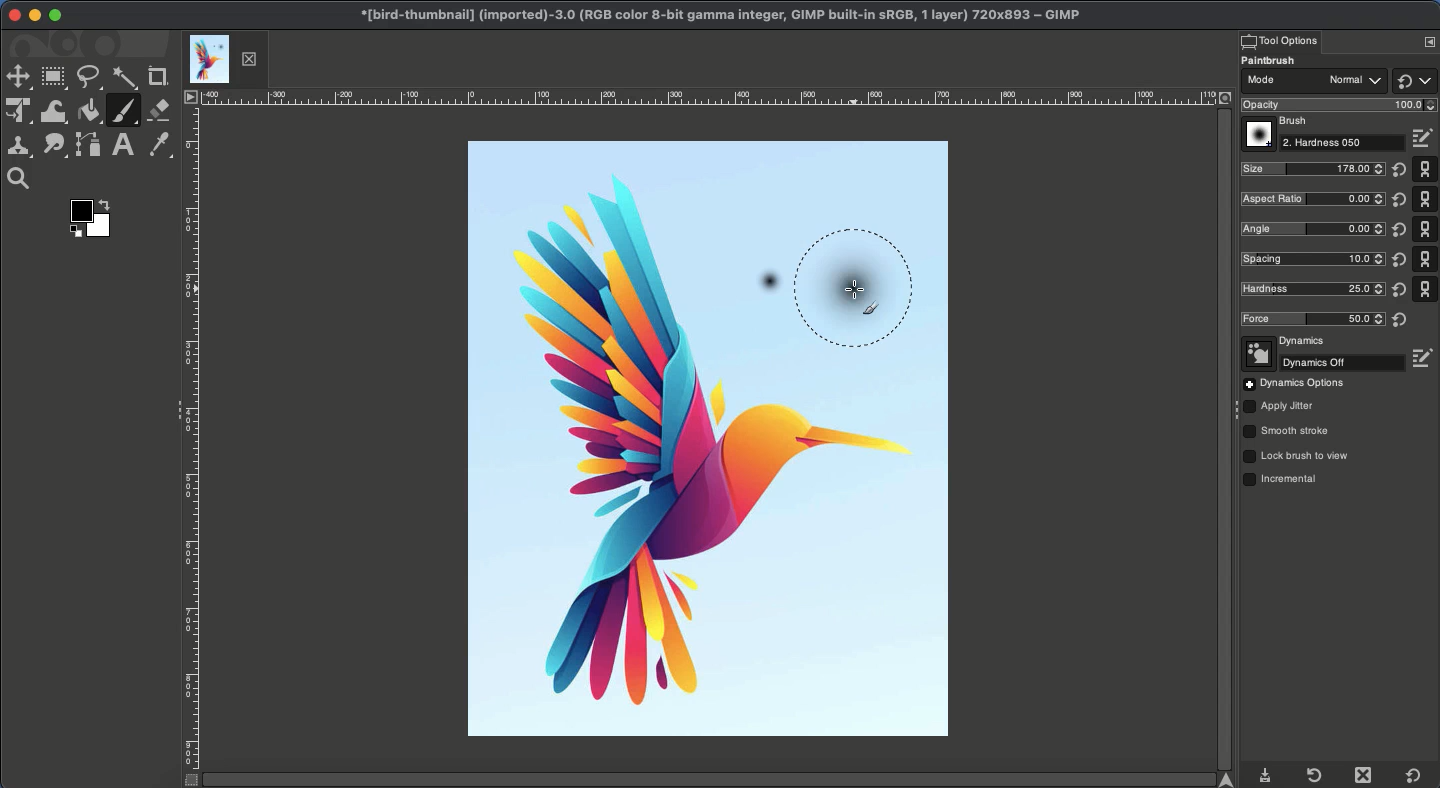 The image size is (1440, 788). Describe the element at coordinates (55, 15) in the screenshot. I see `Maximize` at that location.